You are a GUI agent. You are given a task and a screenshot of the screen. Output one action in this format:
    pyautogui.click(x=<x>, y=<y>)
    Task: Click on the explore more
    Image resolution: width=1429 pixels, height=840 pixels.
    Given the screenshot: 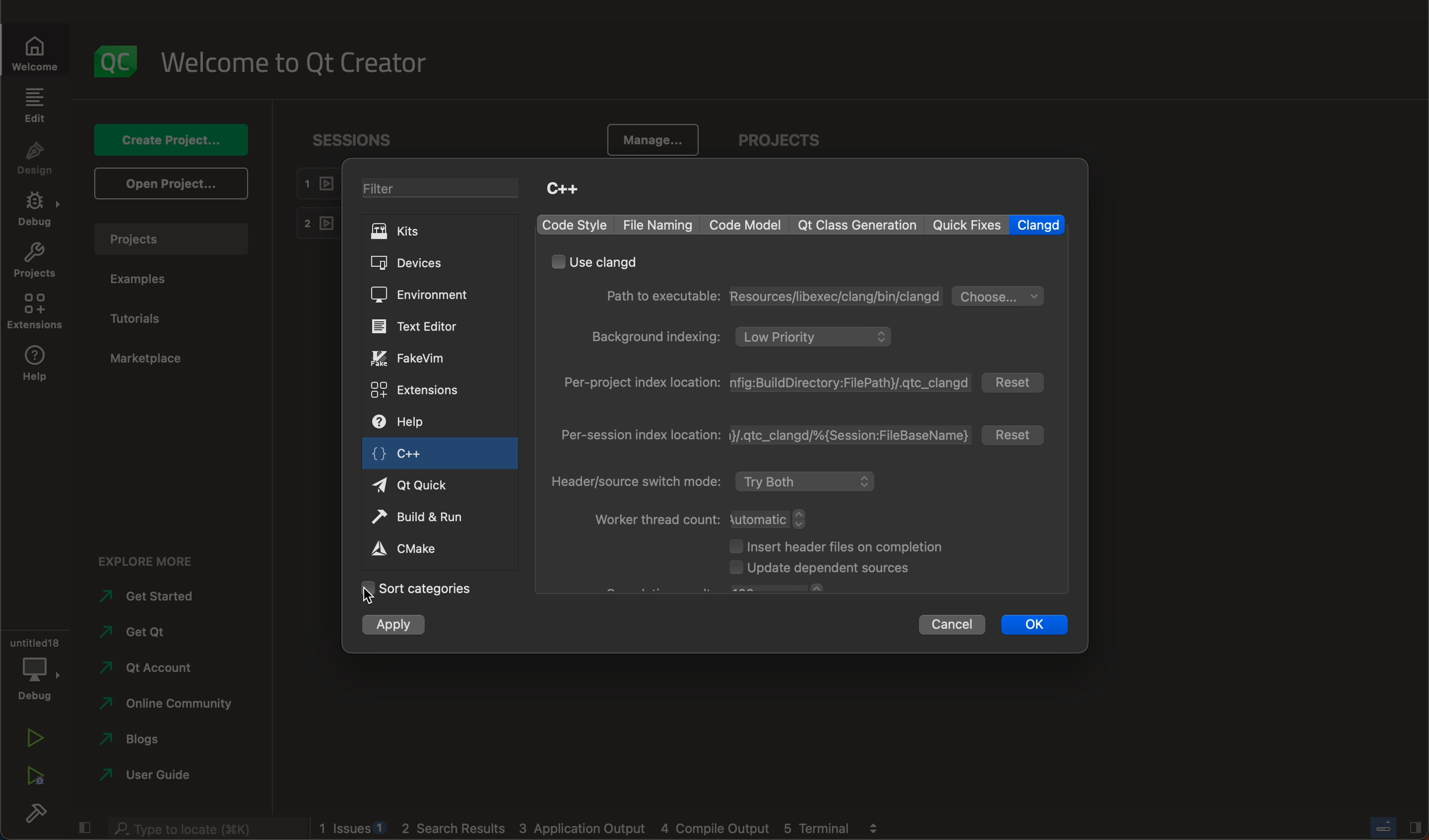 What is the action you would take?
    pyautogui.click(x=152, y=561)
    